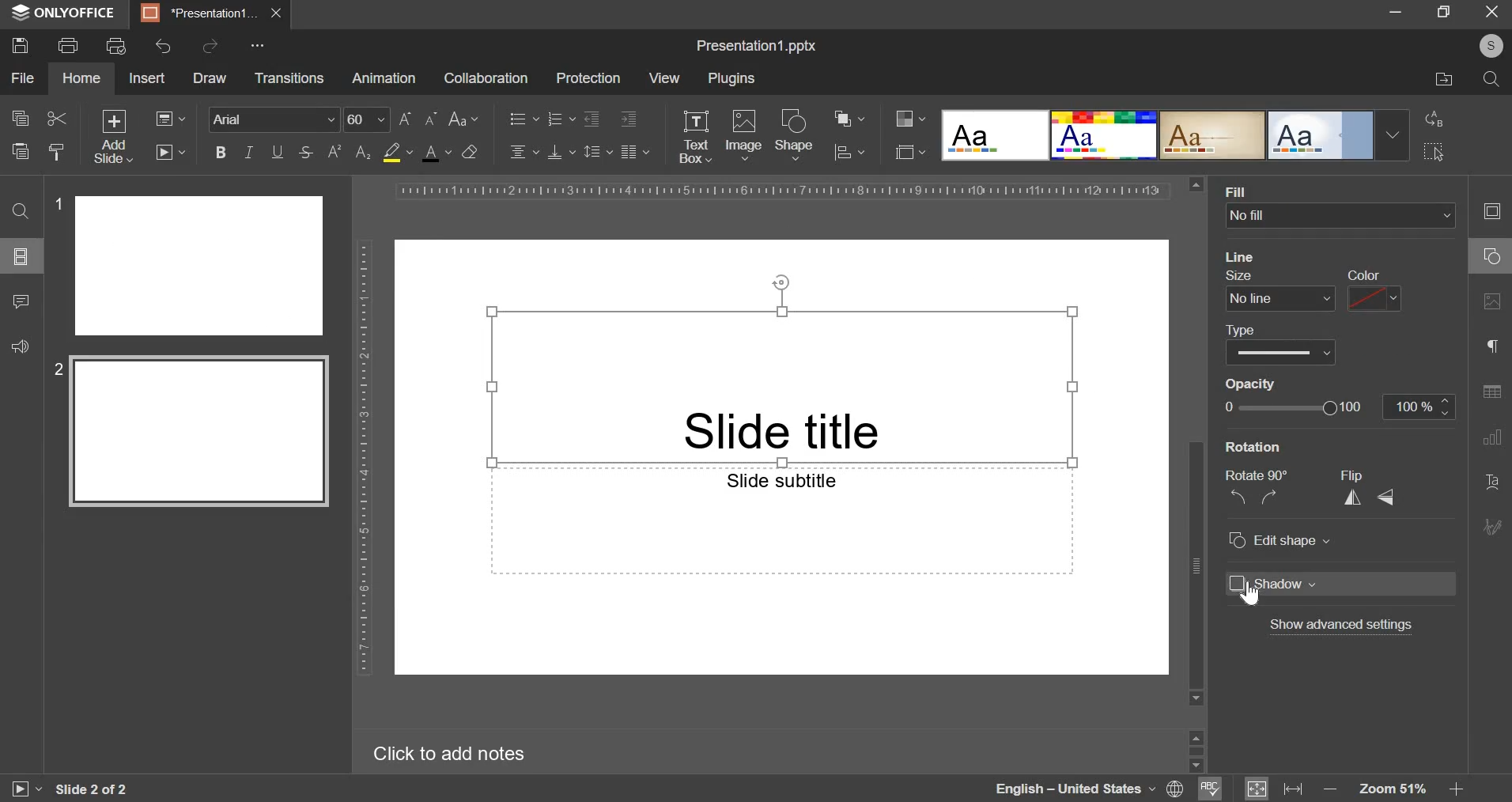  I want to click on undo, so click(164, 46).